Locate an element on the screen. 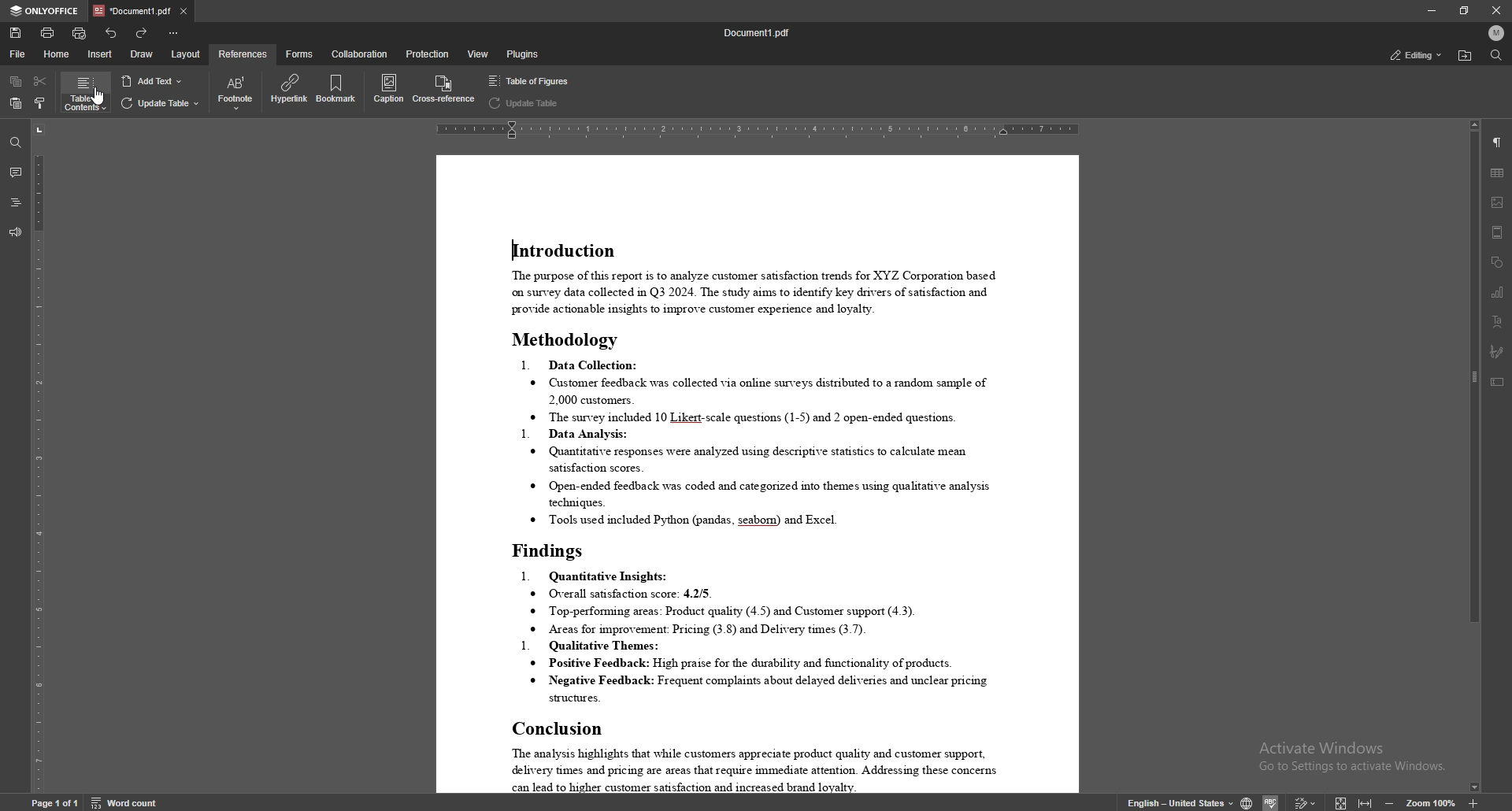 The width and height of the screenshot is (1512, 811). cursor is located at coordinates (98, 98).